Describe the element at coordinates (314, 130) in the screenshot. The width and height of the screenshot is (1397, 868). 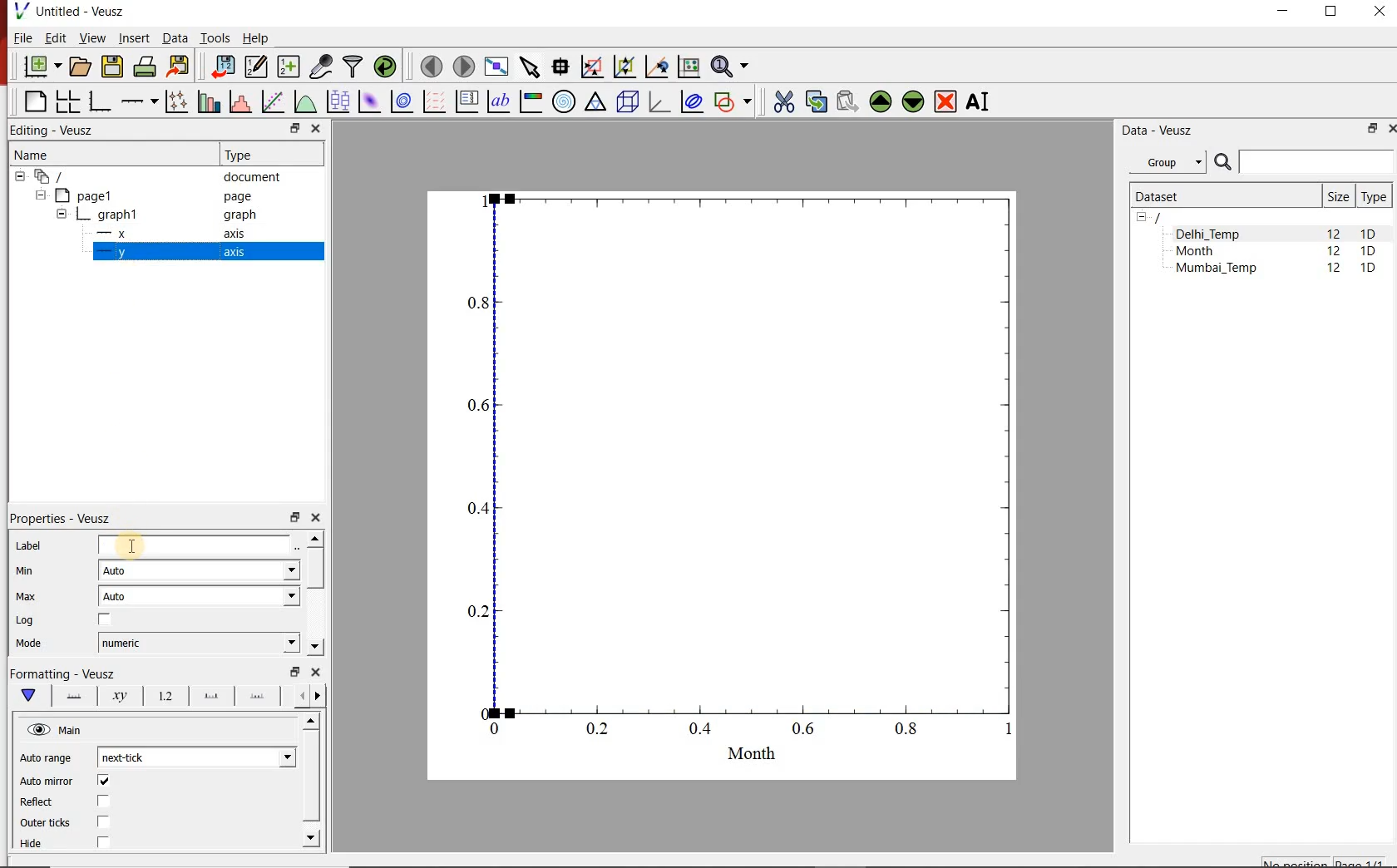
I see `close` at that location.